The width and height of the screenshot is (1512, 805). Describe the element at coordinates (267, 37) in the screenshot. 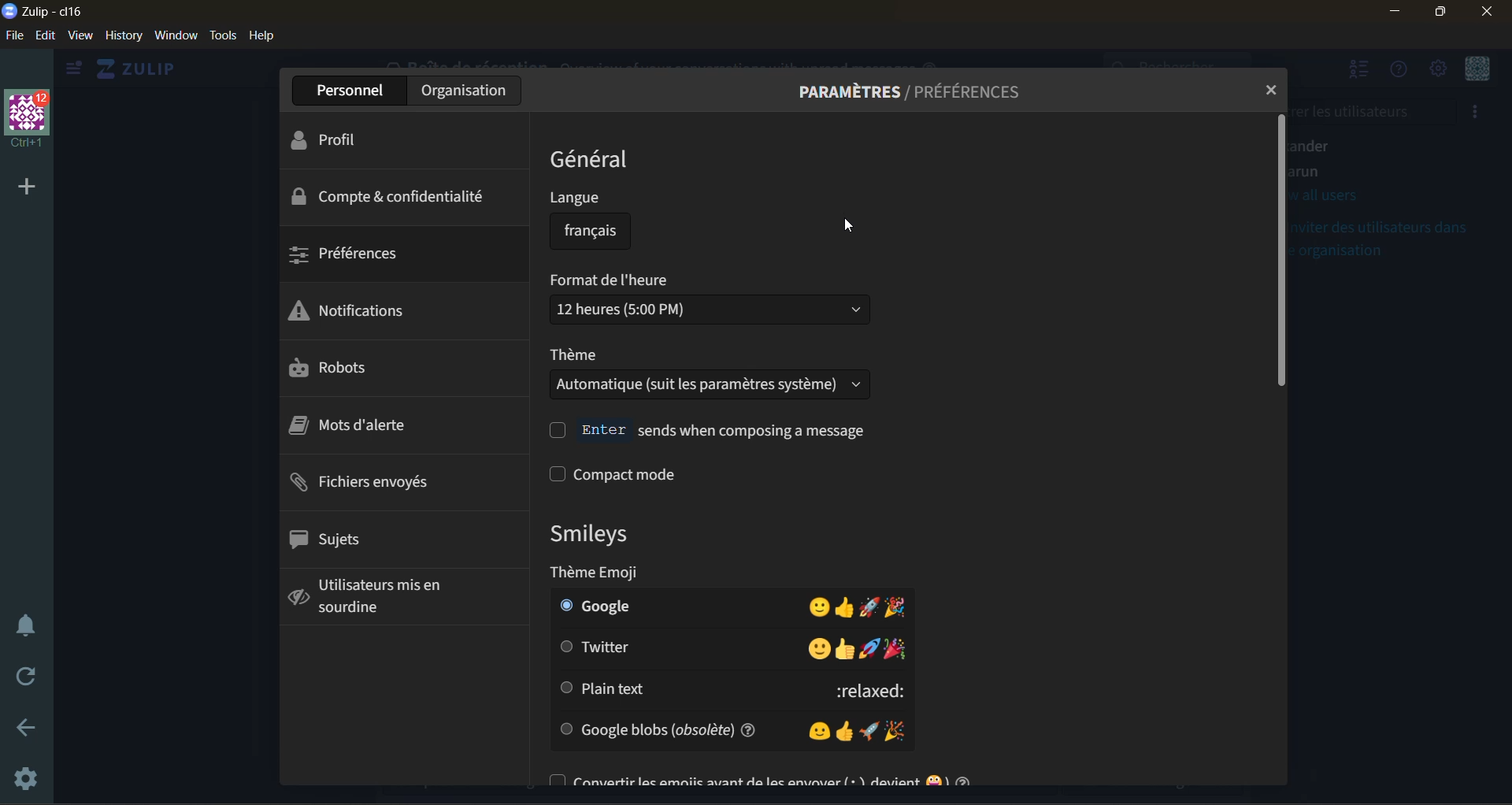

I see `help` at that location.